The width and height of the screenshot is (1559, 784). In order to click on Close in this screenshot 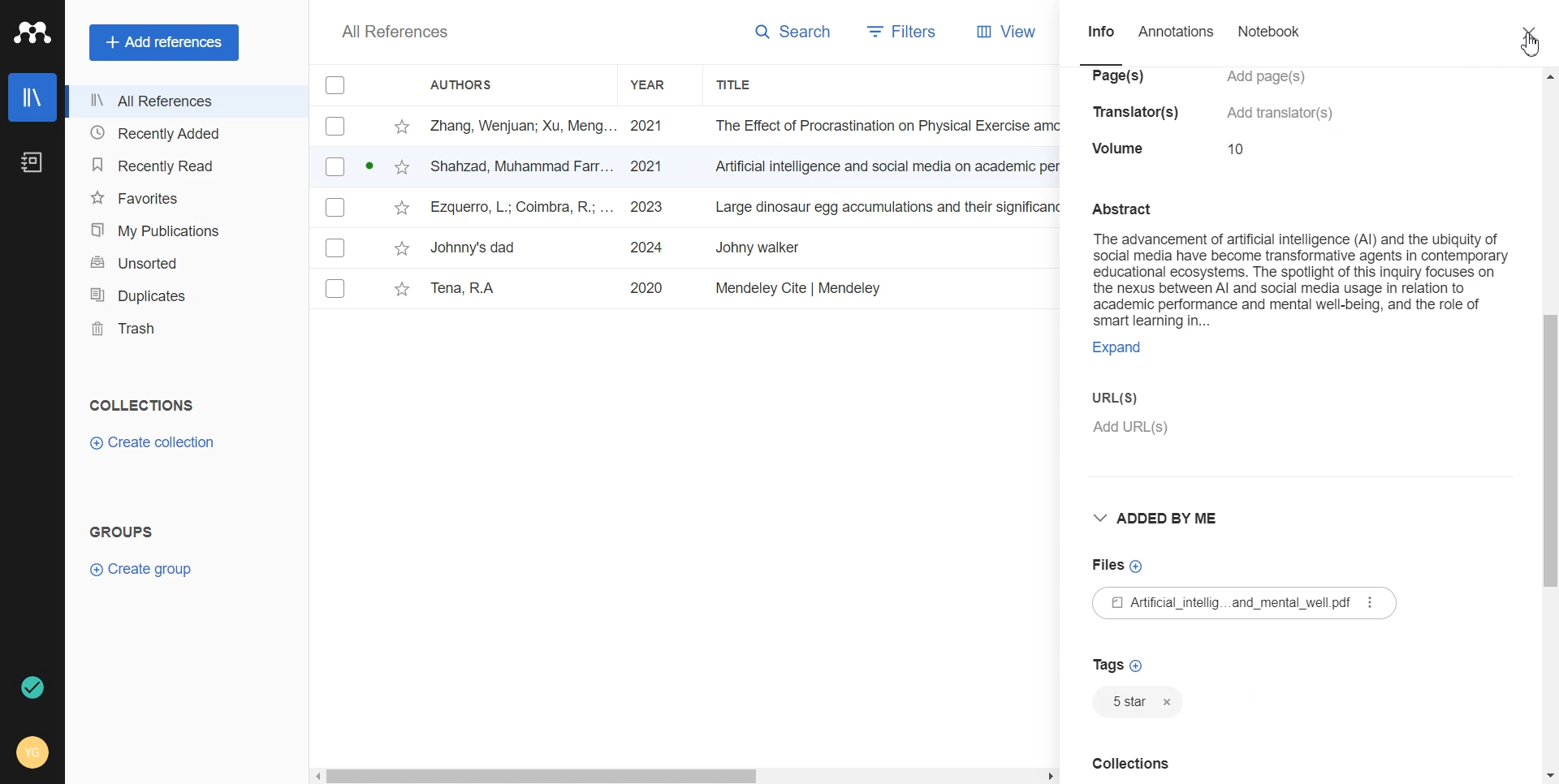, I will do `click(1531, 32)`.